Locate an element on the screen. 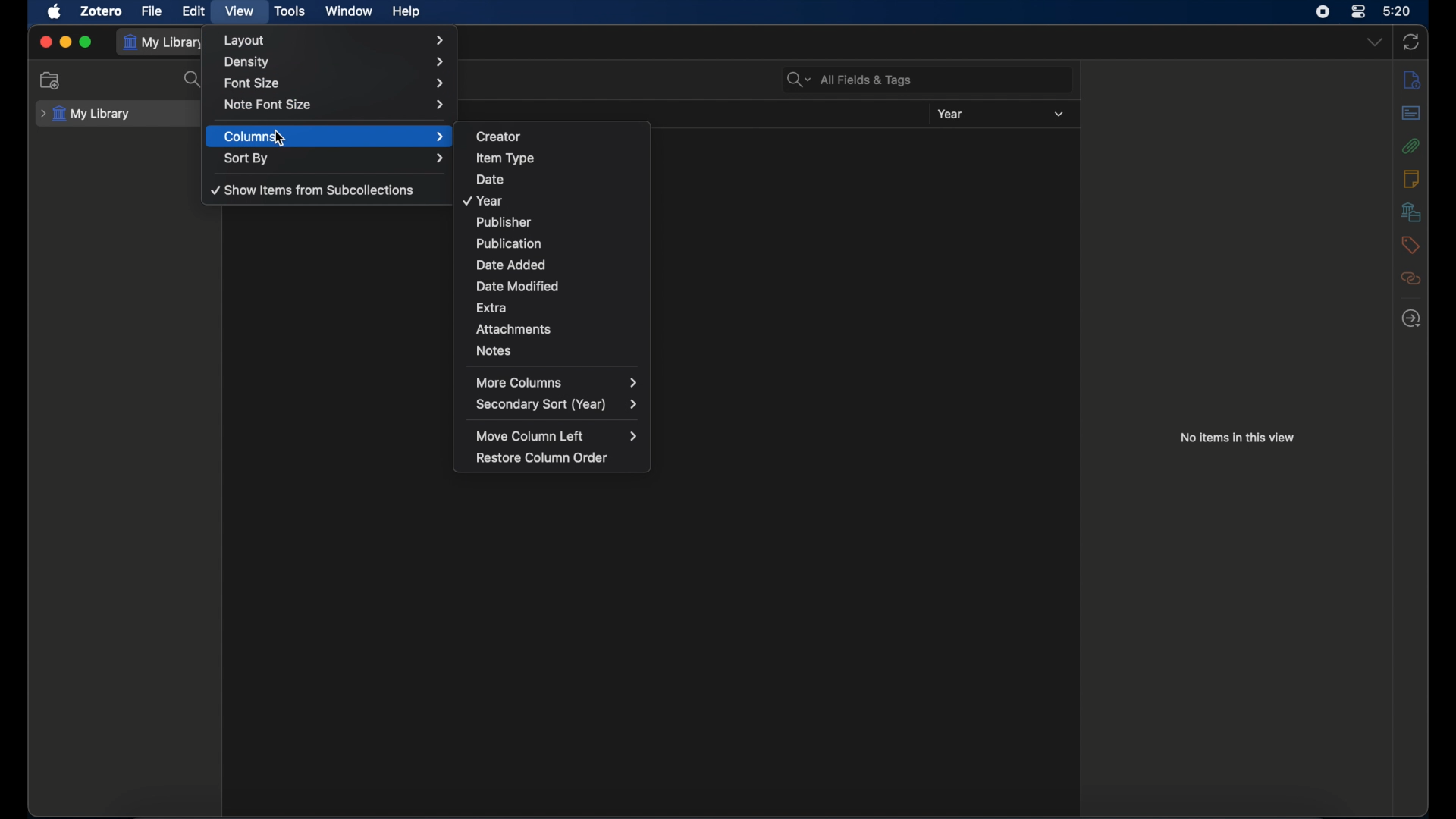  file is located at coordinates (152, 11).